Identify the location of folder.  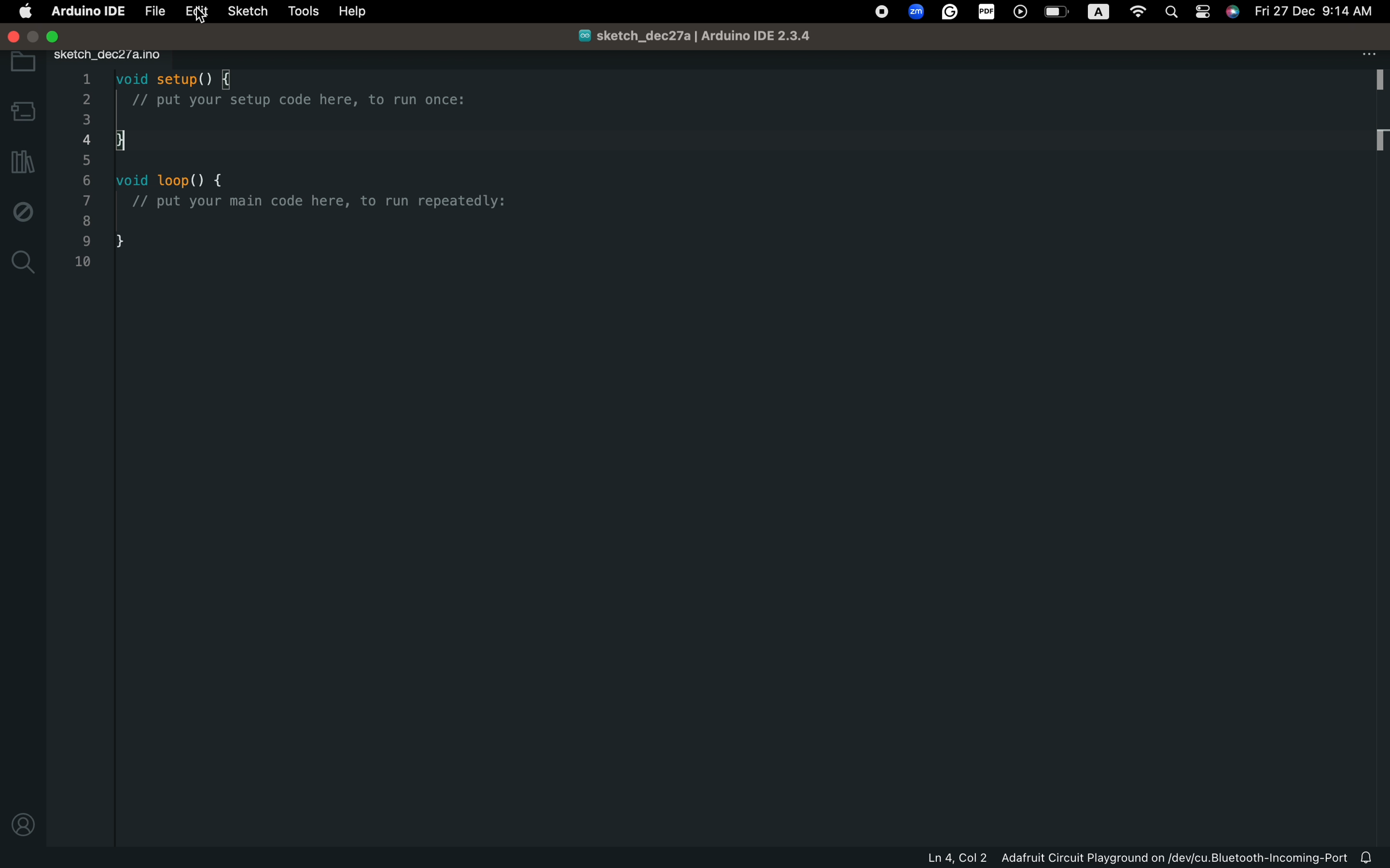
(20, 62).